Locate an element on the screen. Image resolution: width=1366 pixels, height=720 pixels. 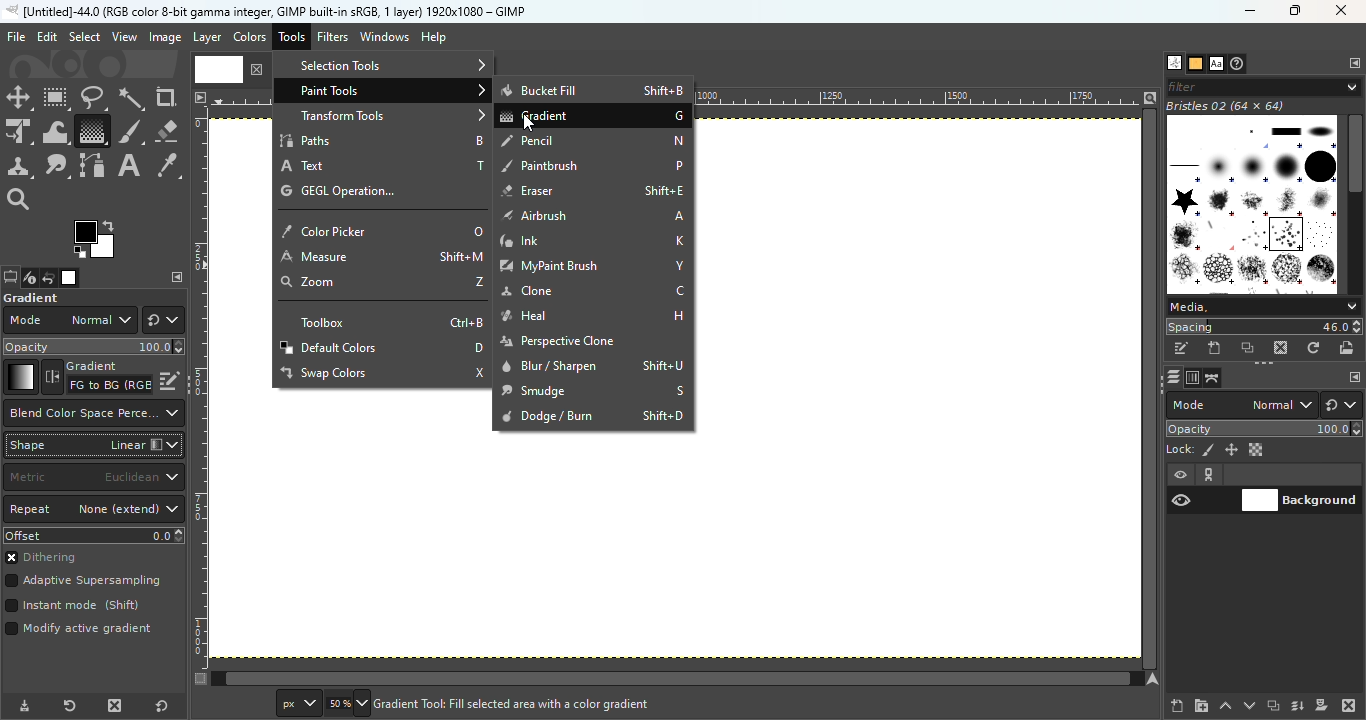
Create a new layer group and add it to the image is located at coordinates (1201, 706).